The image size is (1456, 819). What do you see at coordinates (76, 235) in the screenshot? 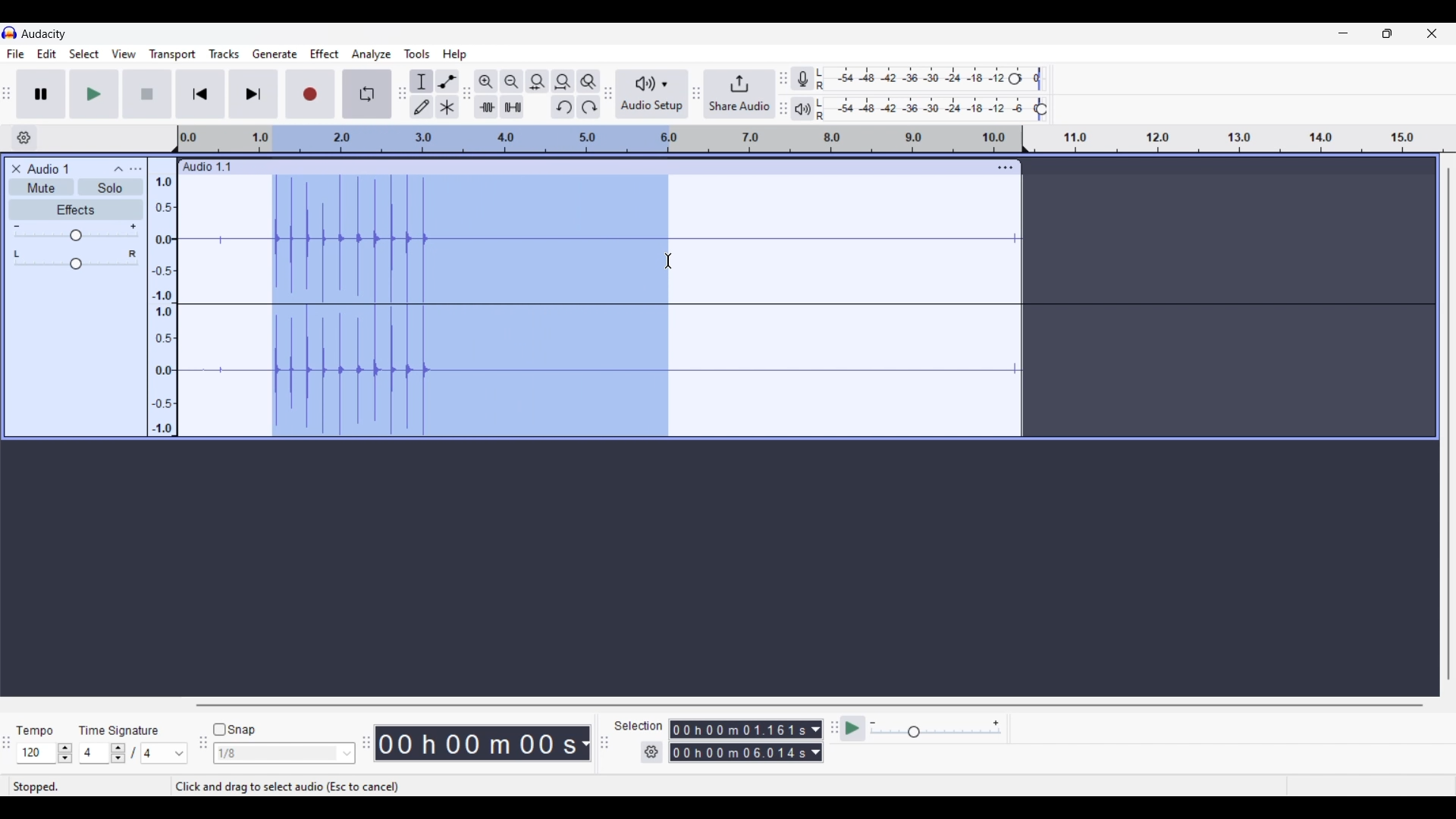
I see `Gain` at bounding box center [76, 235].